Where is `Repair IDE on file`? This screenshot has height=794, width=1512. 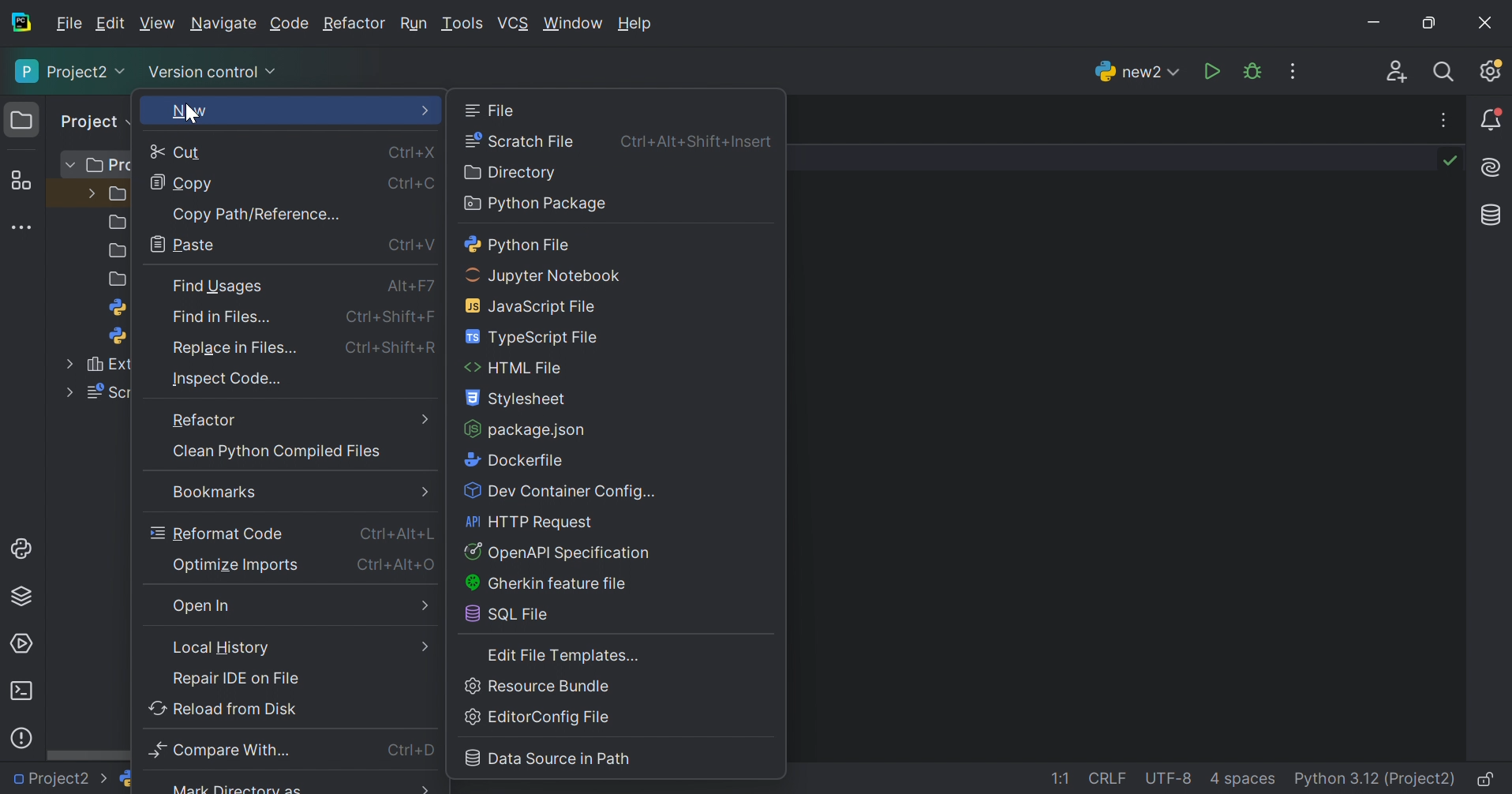 Repair IDE on file is located at coordinates (237, 678).